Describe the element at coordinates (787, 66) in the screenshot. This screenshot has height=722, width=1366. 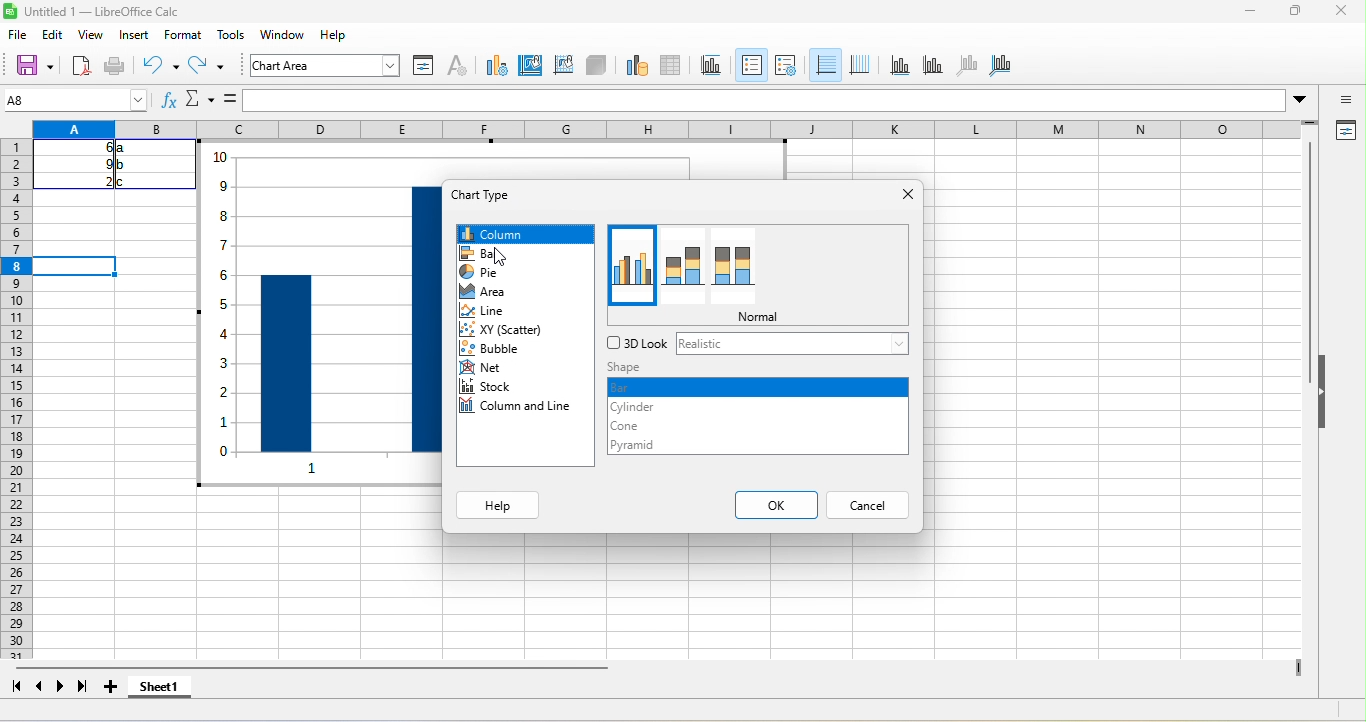
I see `titles` at that location.